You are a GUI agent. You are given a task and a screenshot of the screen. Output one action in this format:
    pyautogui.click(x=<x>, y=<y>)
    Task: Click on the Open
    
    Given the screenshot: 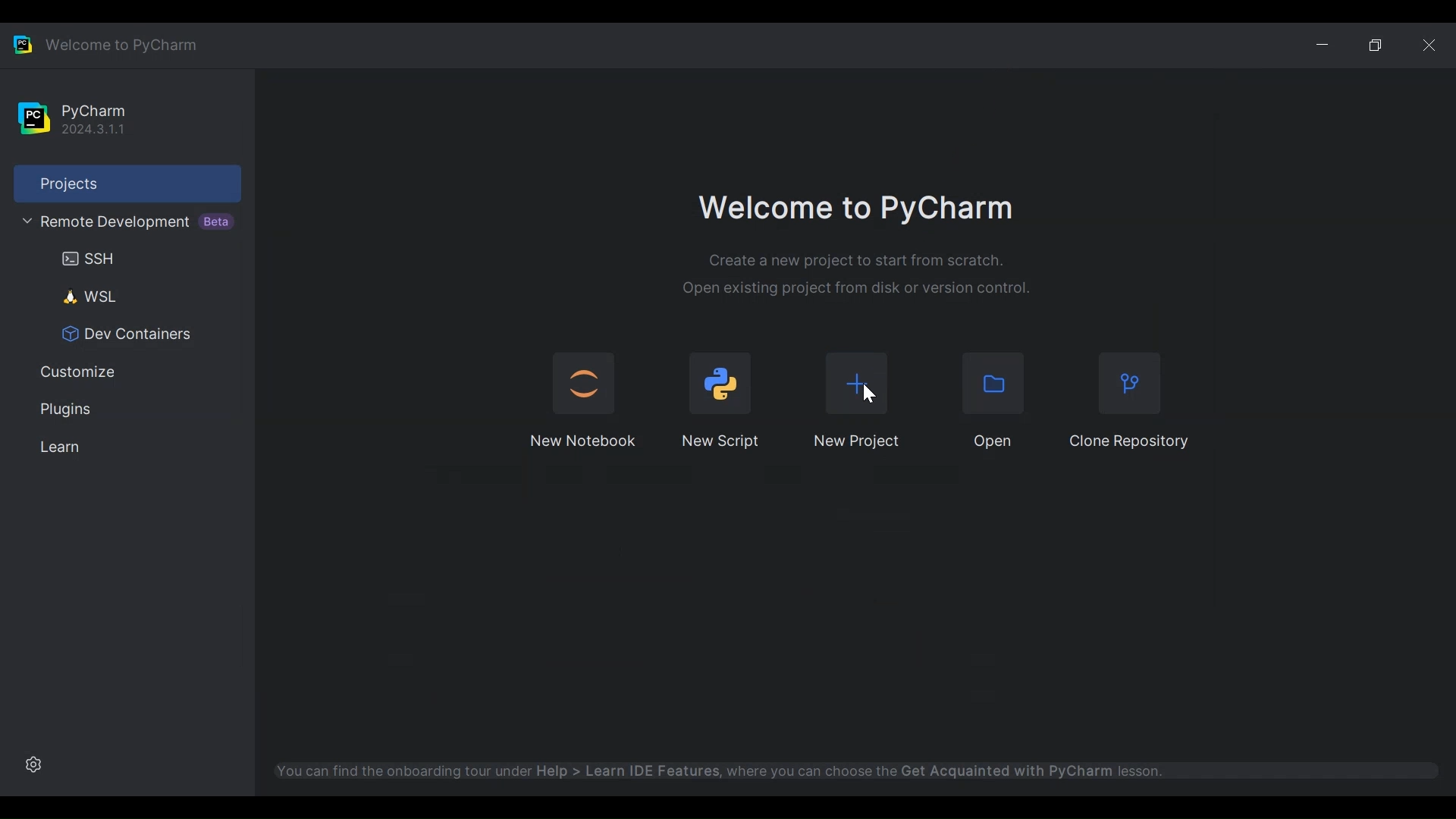 What is the action you would take?
    pyautogui.click(x=996, y=384)
    